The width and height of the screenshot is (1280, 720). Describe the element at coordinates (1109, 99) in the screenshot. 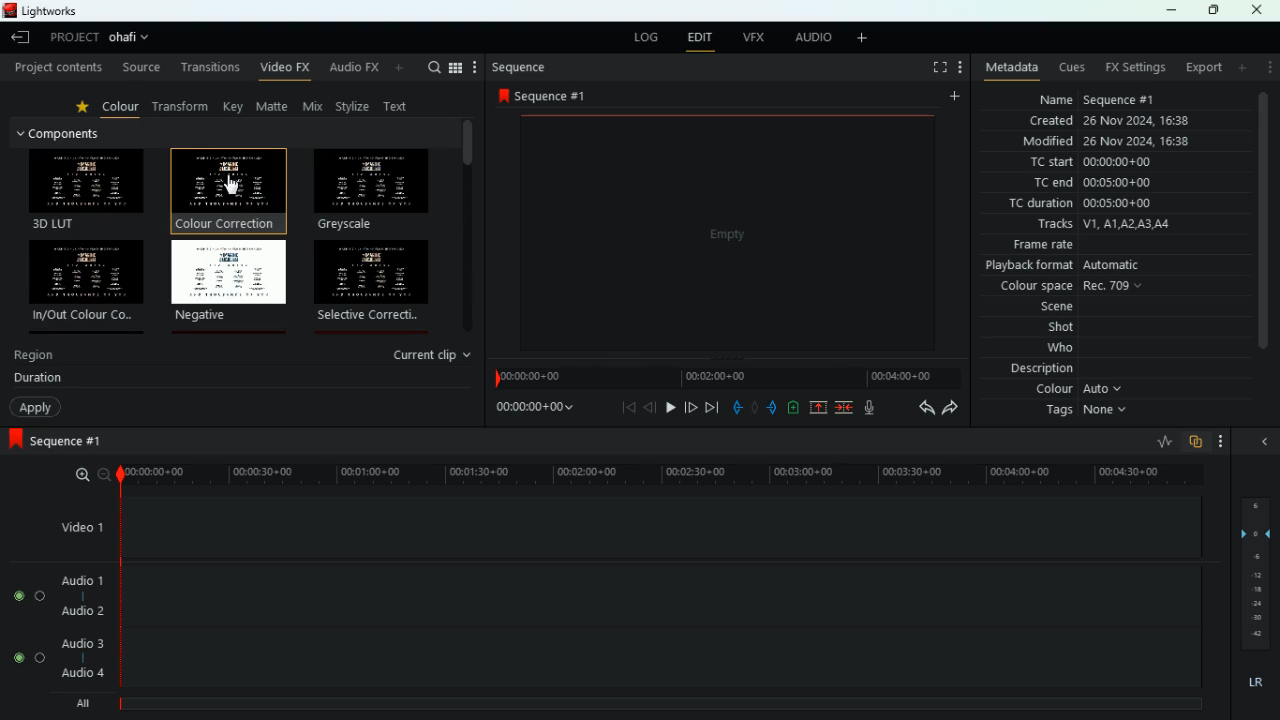

I see `name` at that location.